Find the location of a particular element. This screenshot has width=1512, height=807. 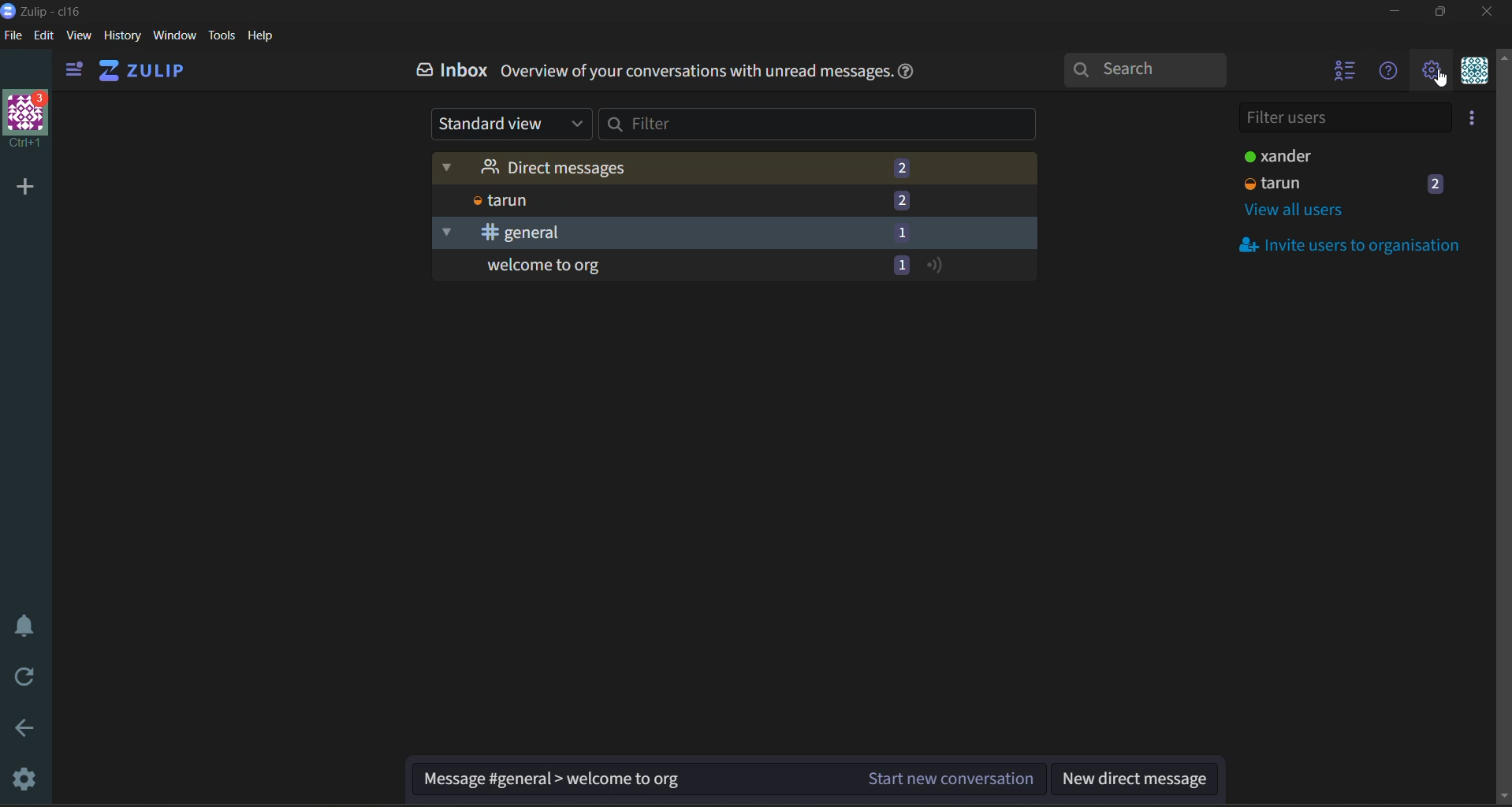

inbox is located at coordinates (450, 72).